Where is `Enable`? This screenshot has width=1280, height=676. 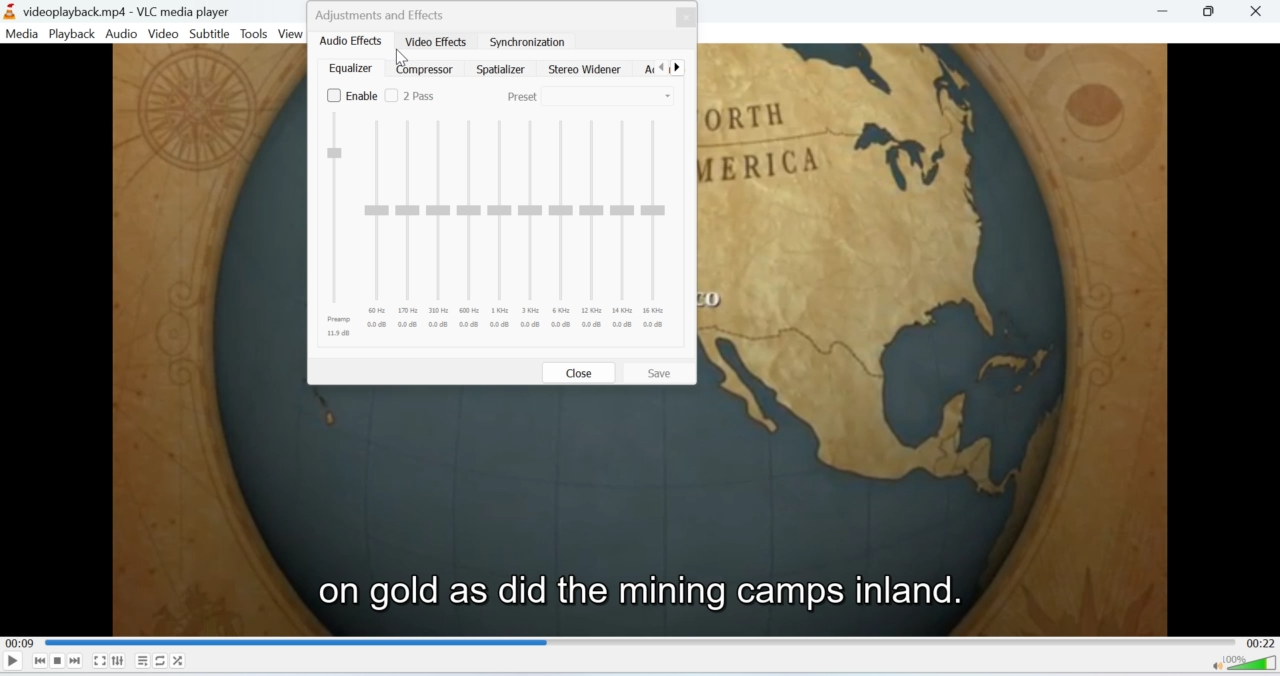 Enable is located at coordinates (349, 96).